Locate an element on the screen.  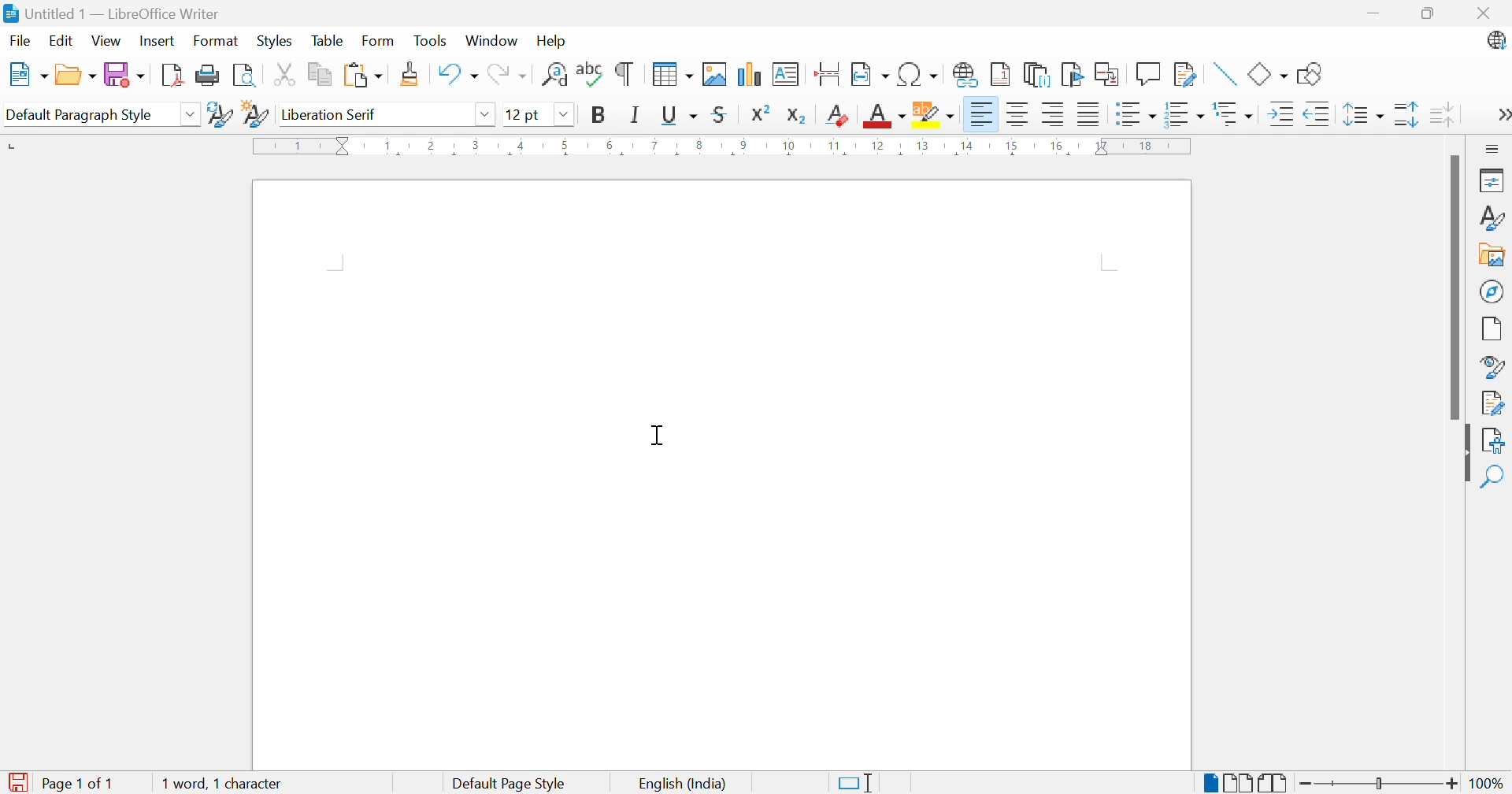
Show track changes functions is located at coordinates (1182, 72).